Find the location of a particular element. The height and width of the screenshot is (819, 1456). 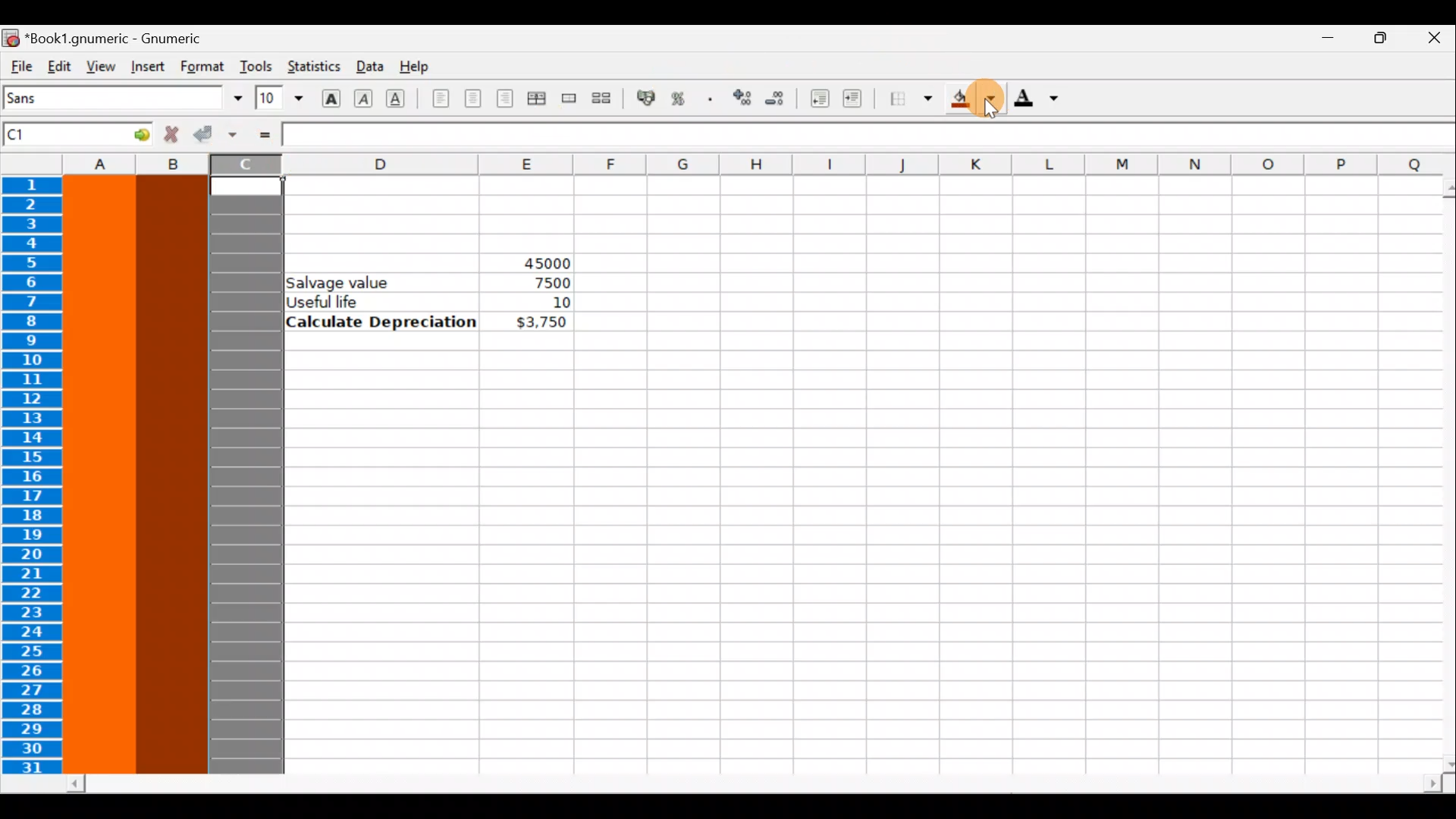

View is located at coordinates (96, 65).